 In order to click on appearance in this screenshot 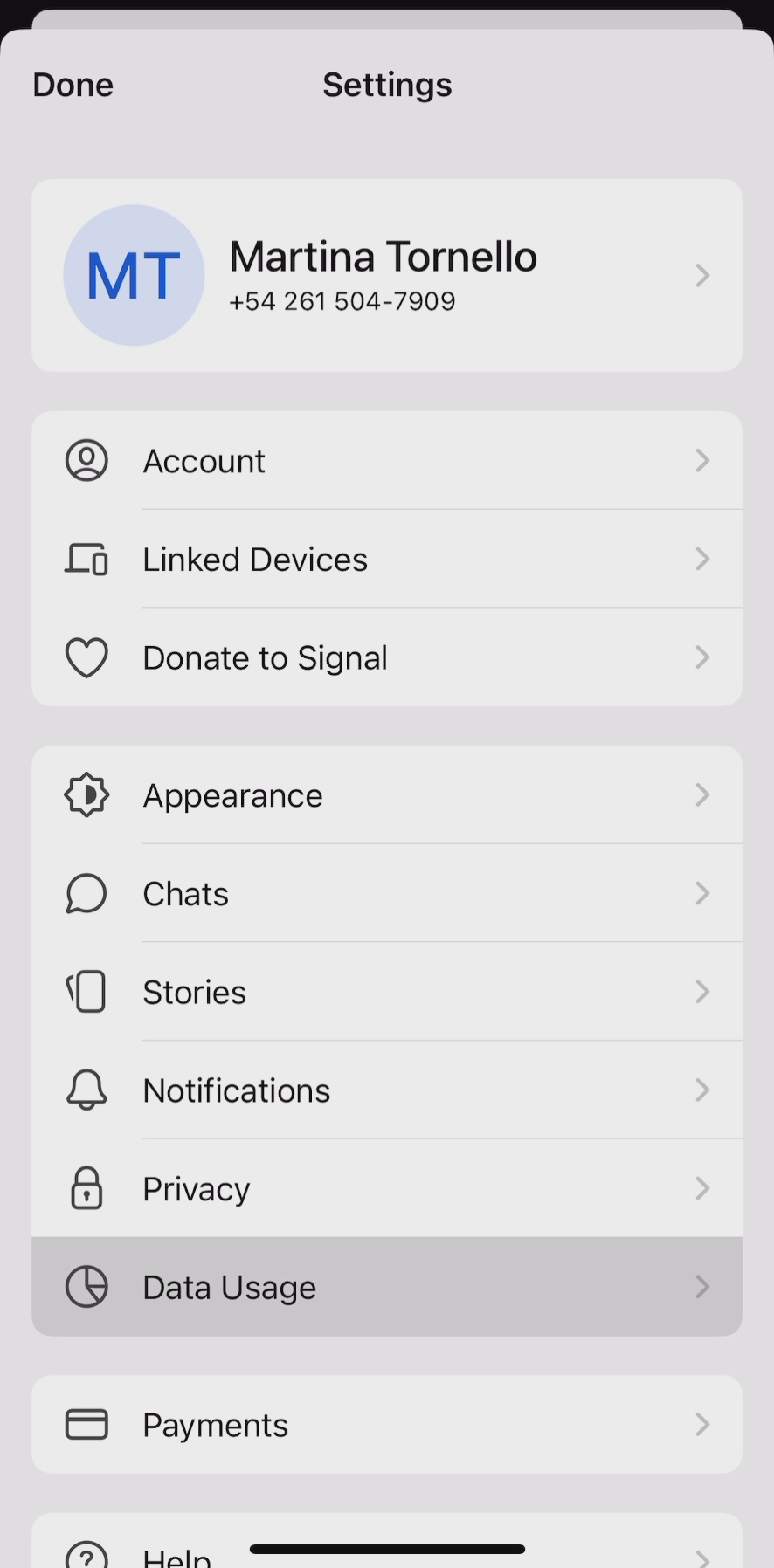, I will do `click(386, 789)`.